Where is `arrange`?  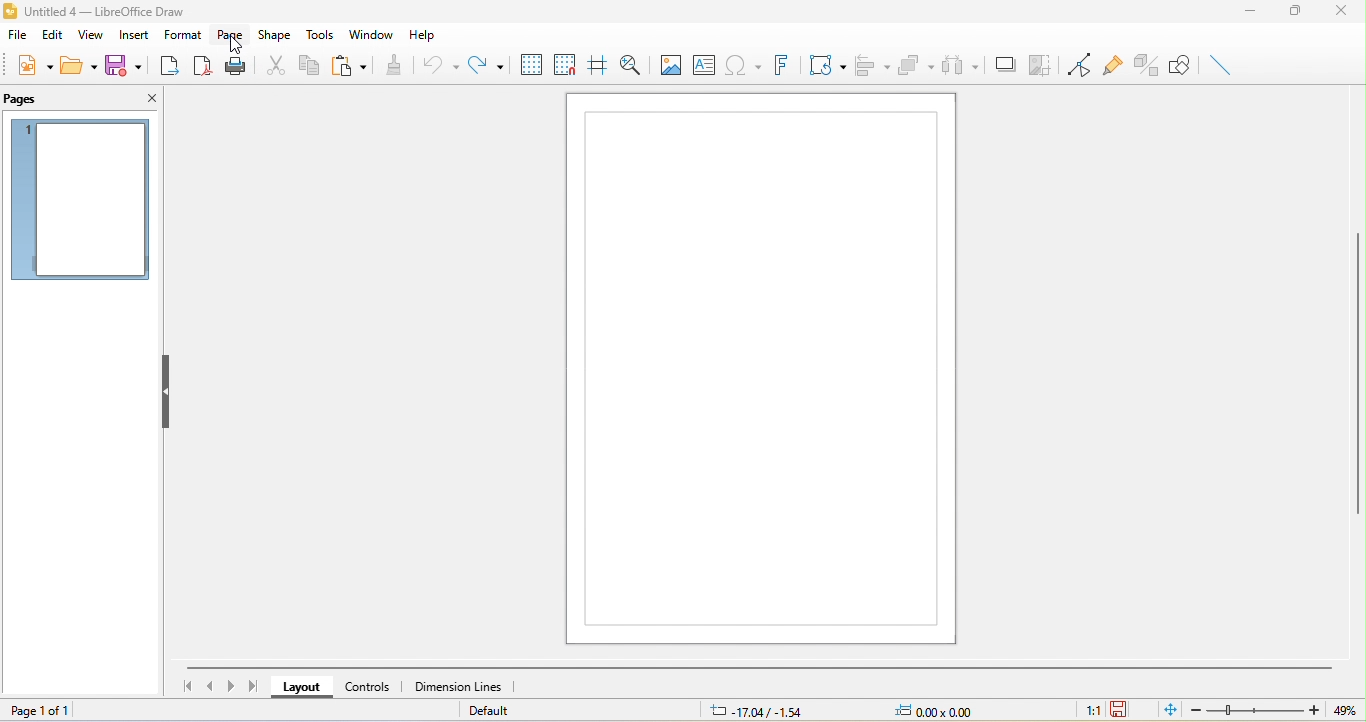 arrange is located at coordinates (916, 64).